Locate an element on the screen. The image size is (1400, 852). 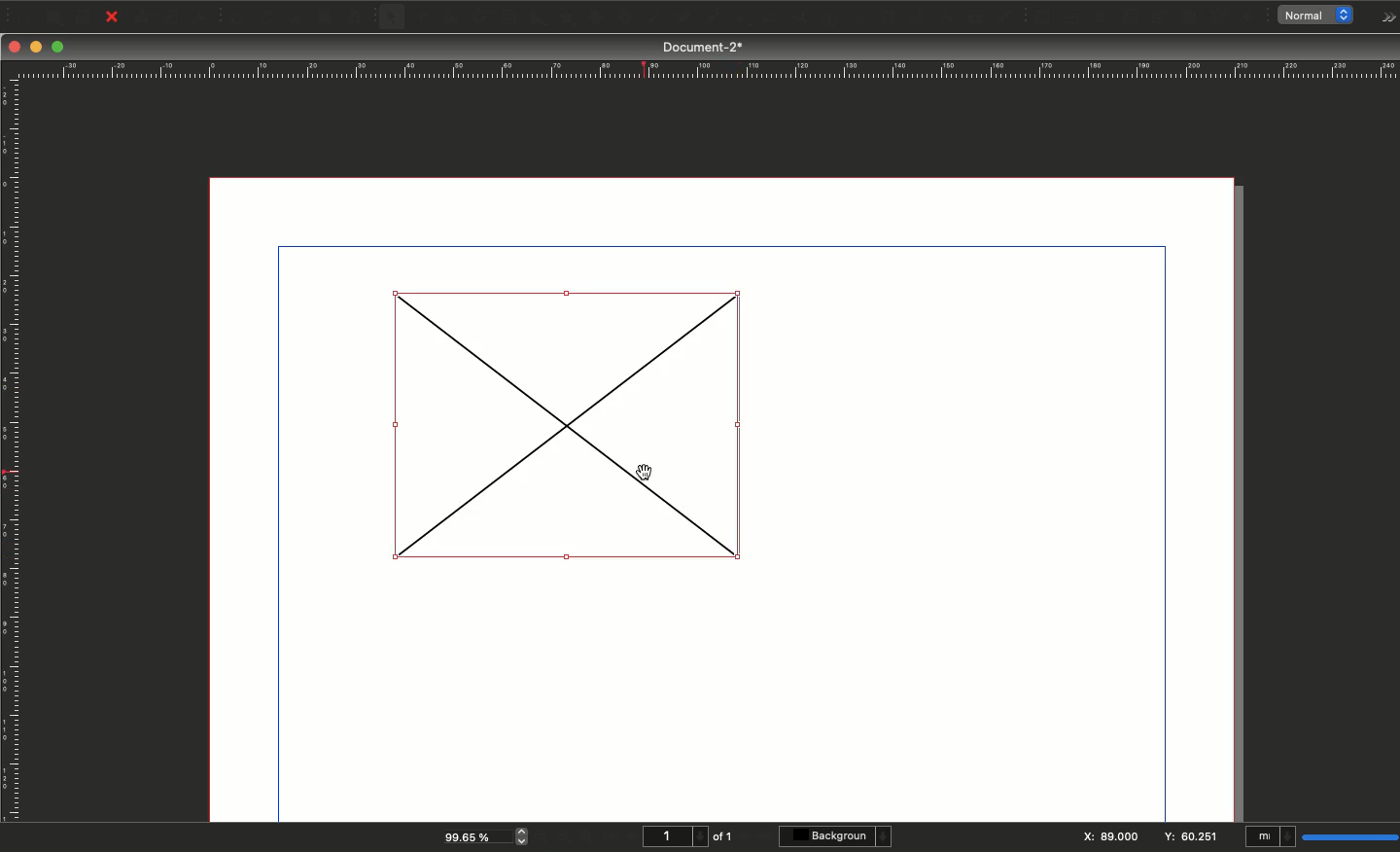
Open is located at coordinates (52, 18).